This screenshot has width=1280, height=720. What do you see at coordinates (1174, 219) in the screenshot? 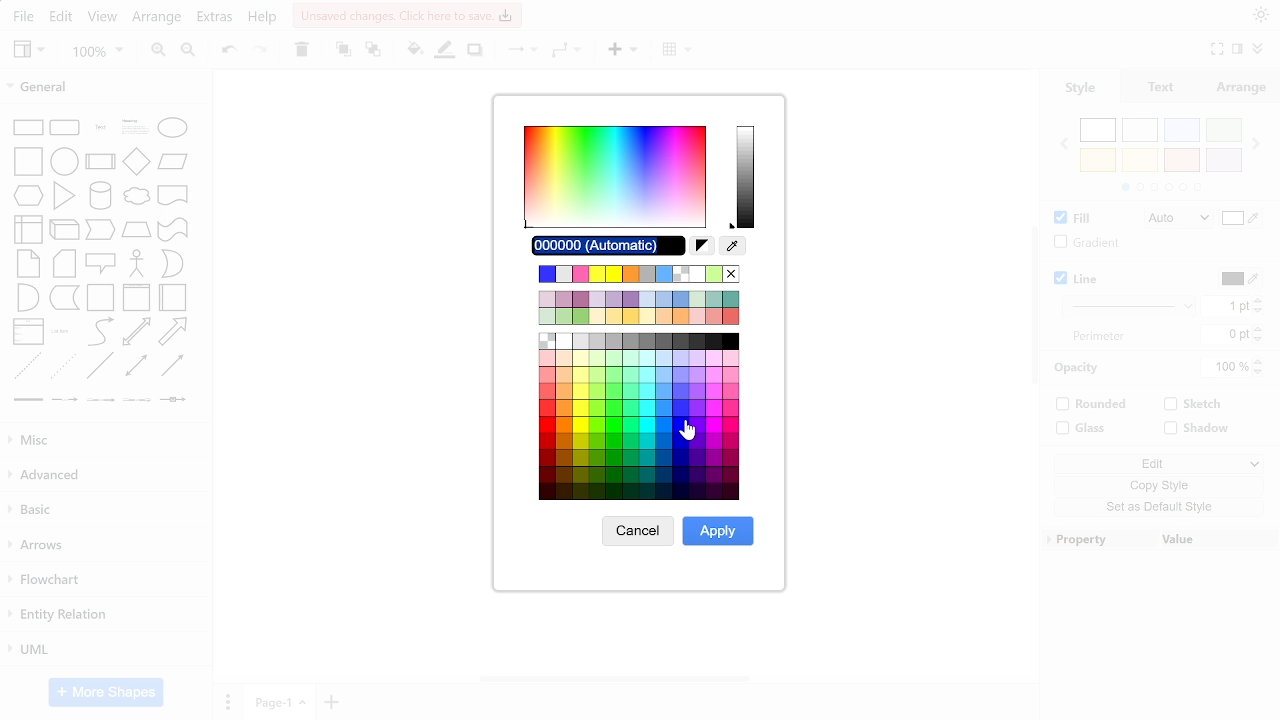
I see `fill style` at bounding box center [1174, 219].